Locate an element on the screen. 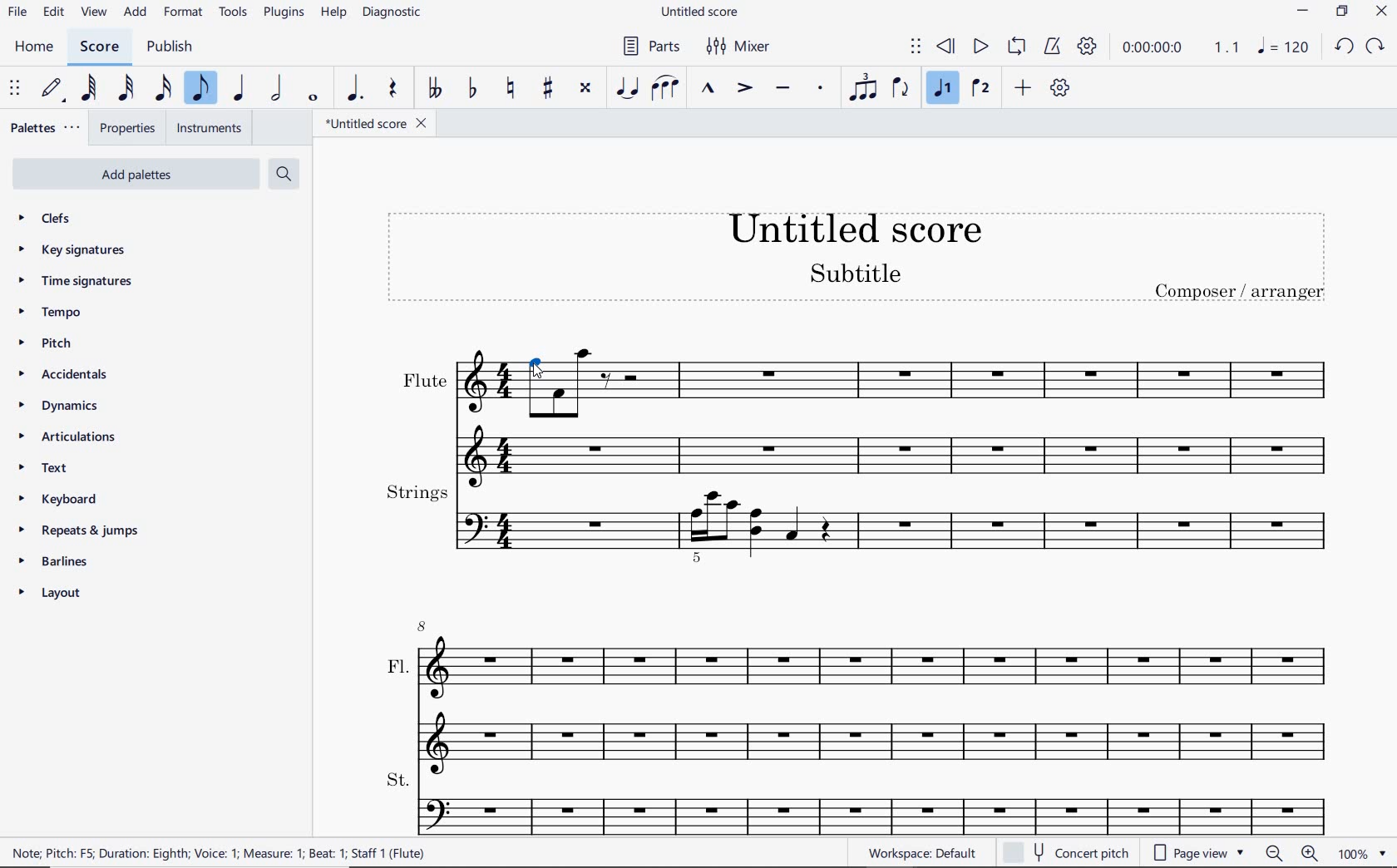 This screenshot has height=868, width=1397. ACCENT is located at coordinates (744, 89).